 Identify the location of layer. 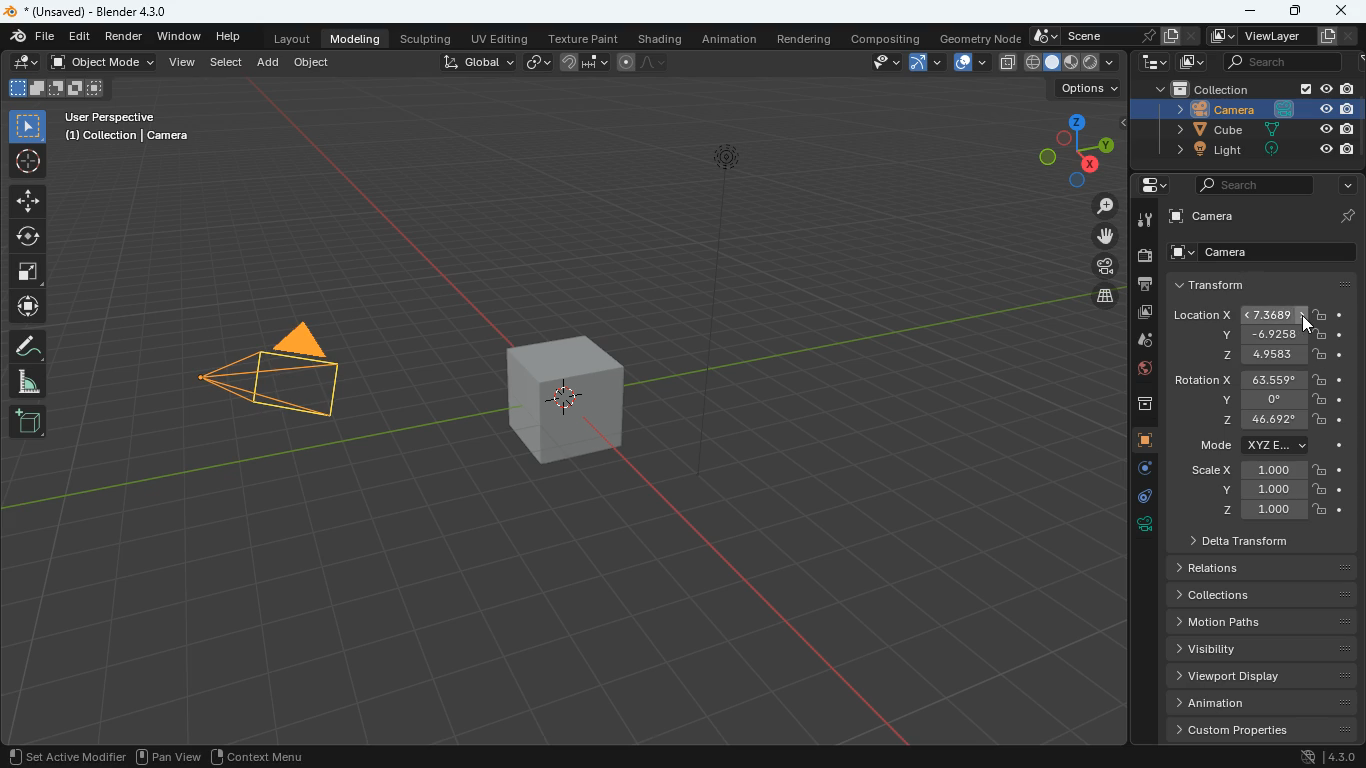
(1098, 295).